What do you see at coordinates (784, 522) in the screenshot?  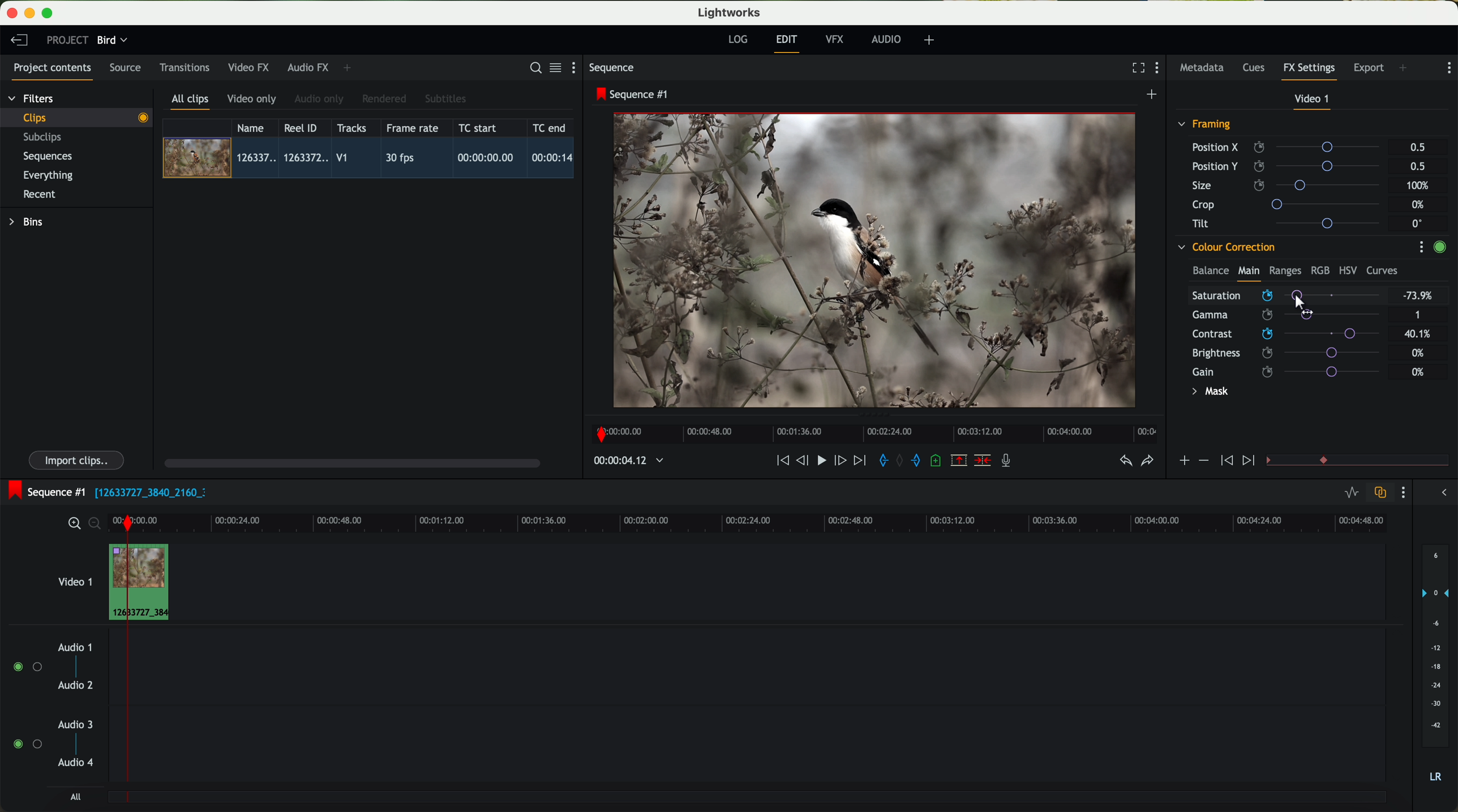 I see `timeline` at bounding box center [784, 522].